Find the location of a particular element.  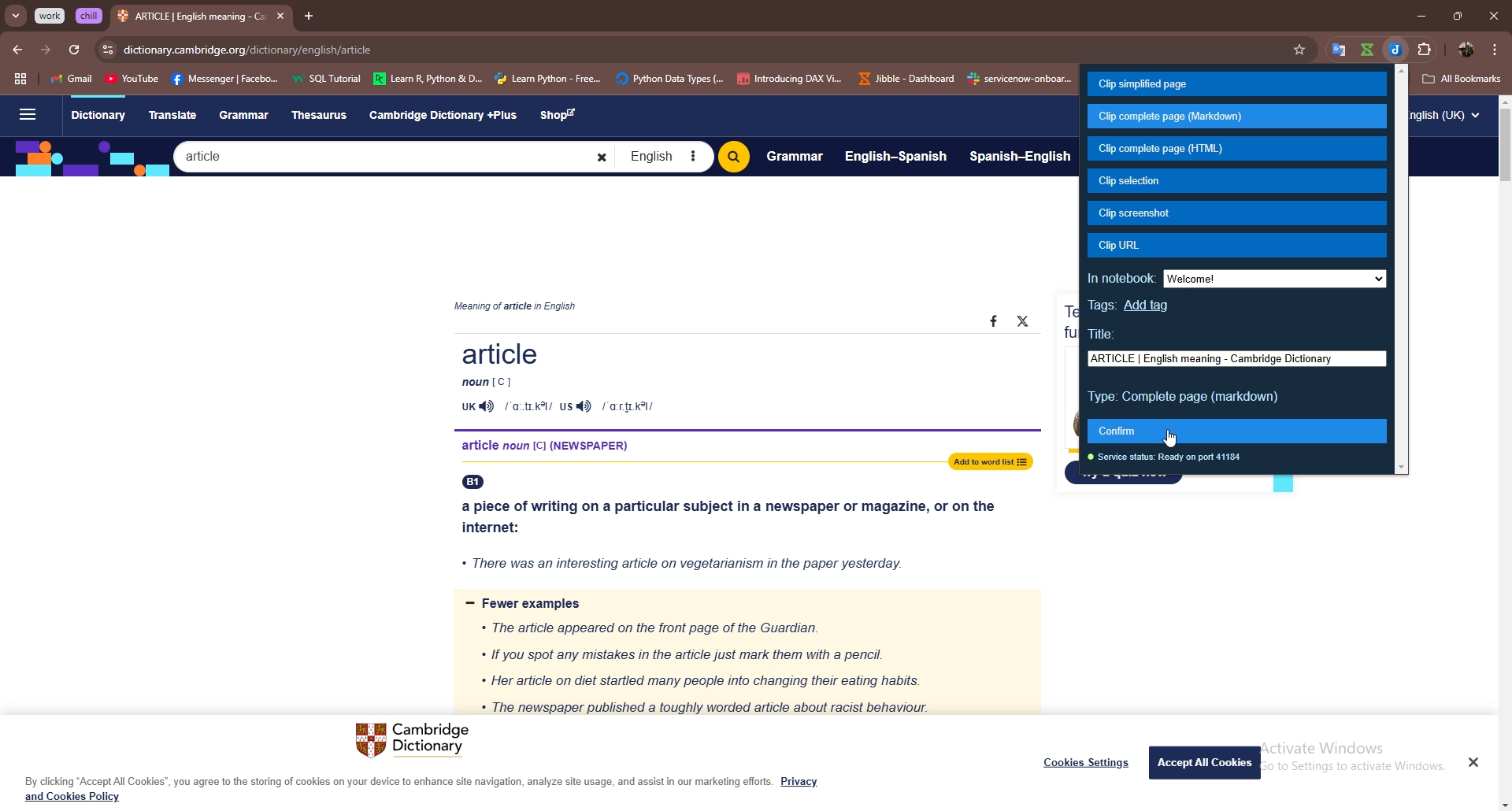

refresh is located at coordinates (73, 50).